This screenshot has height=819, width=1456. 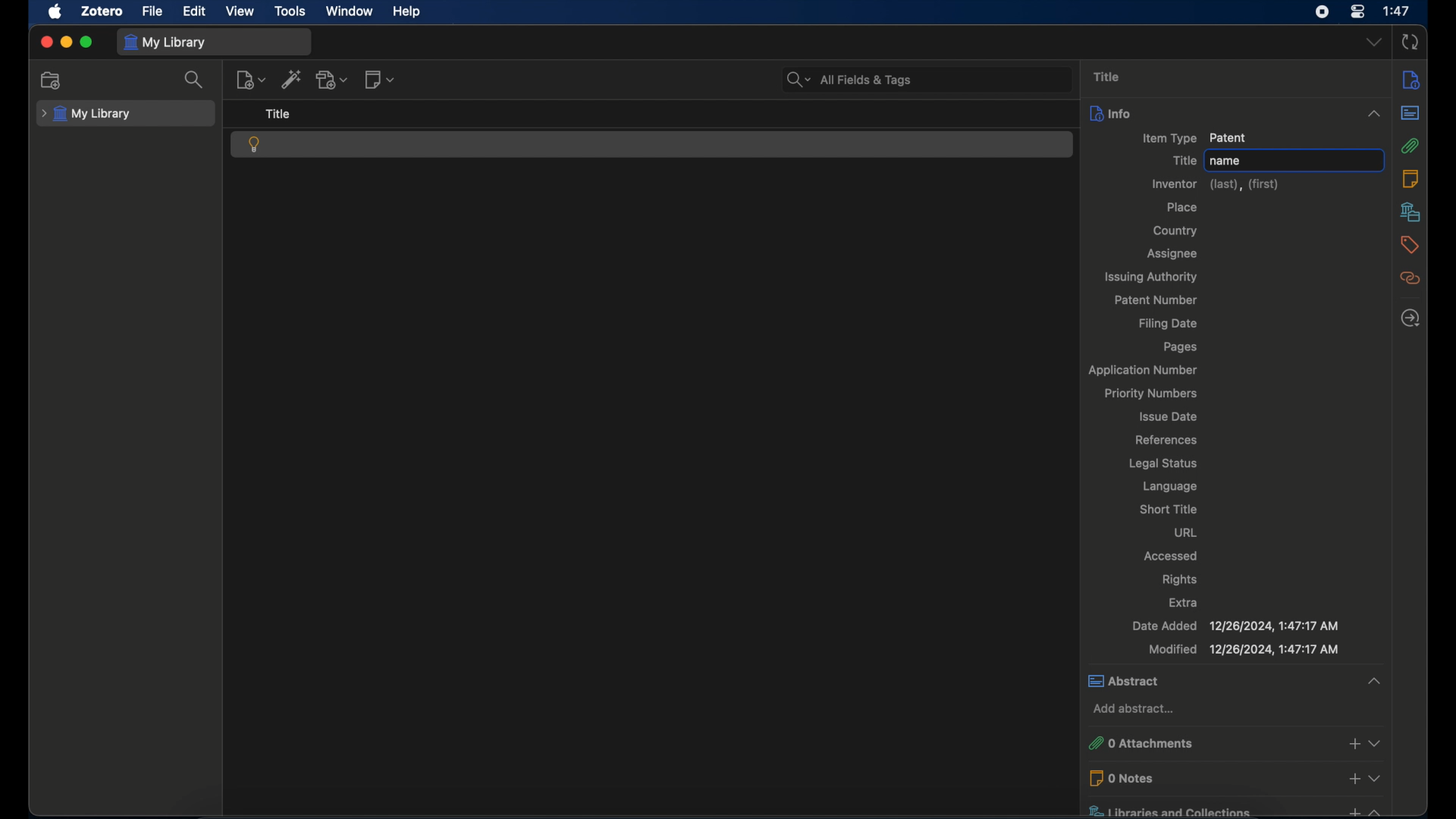 I want to click on pages, so click(x=1181, y=347).